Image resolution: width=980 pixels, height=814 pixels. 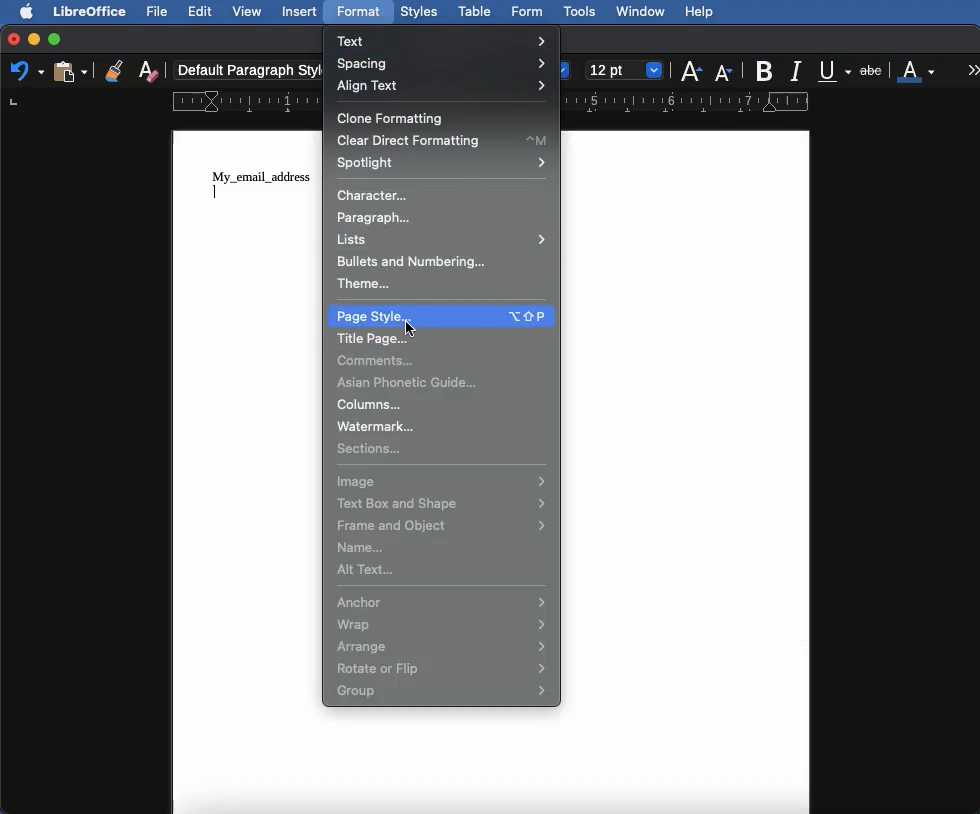 I want to click on Image, so click(x=443, y=482).